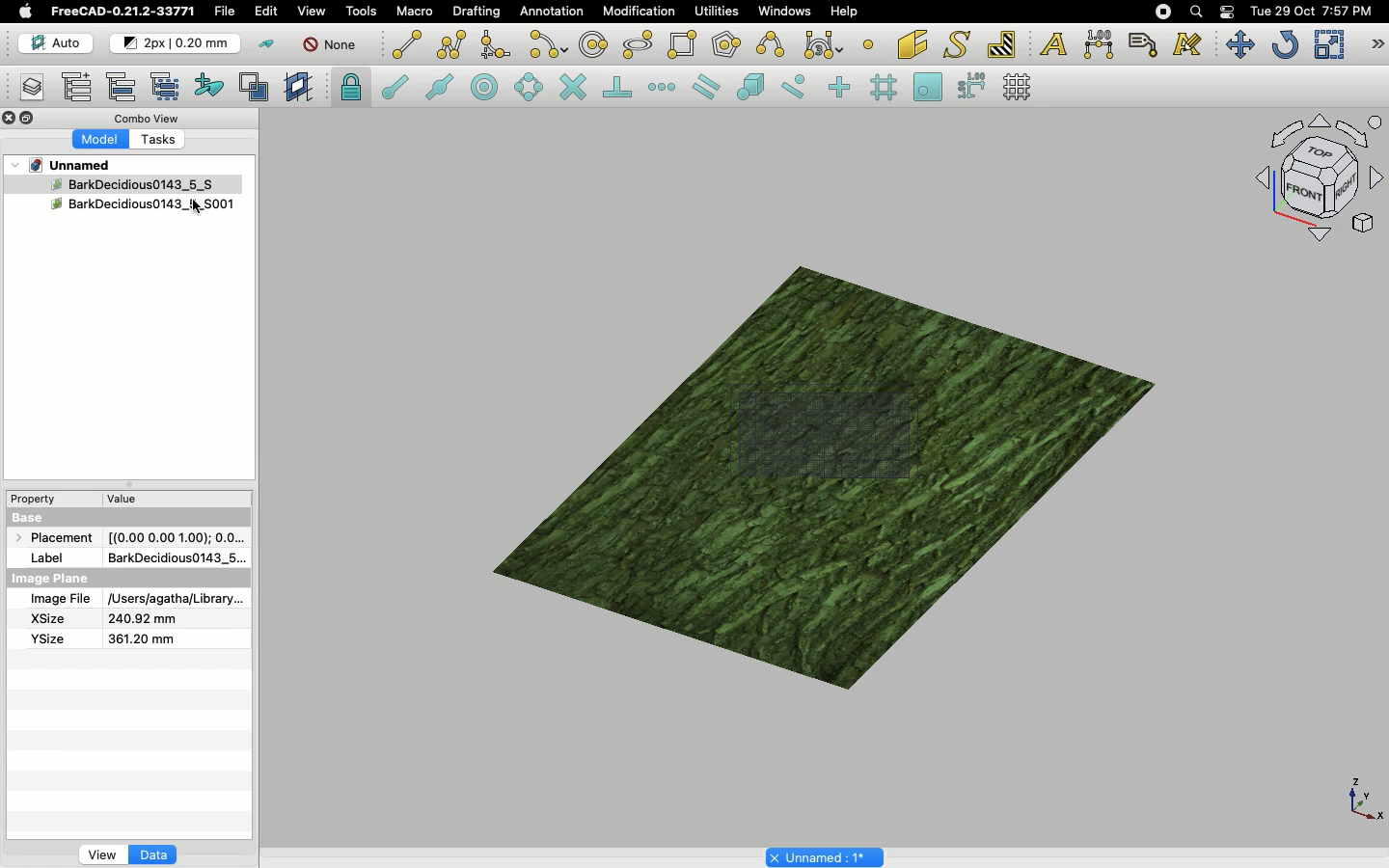 This screenshot has height=868, width=1389. I want to click on Drop down, so click(16, 165).